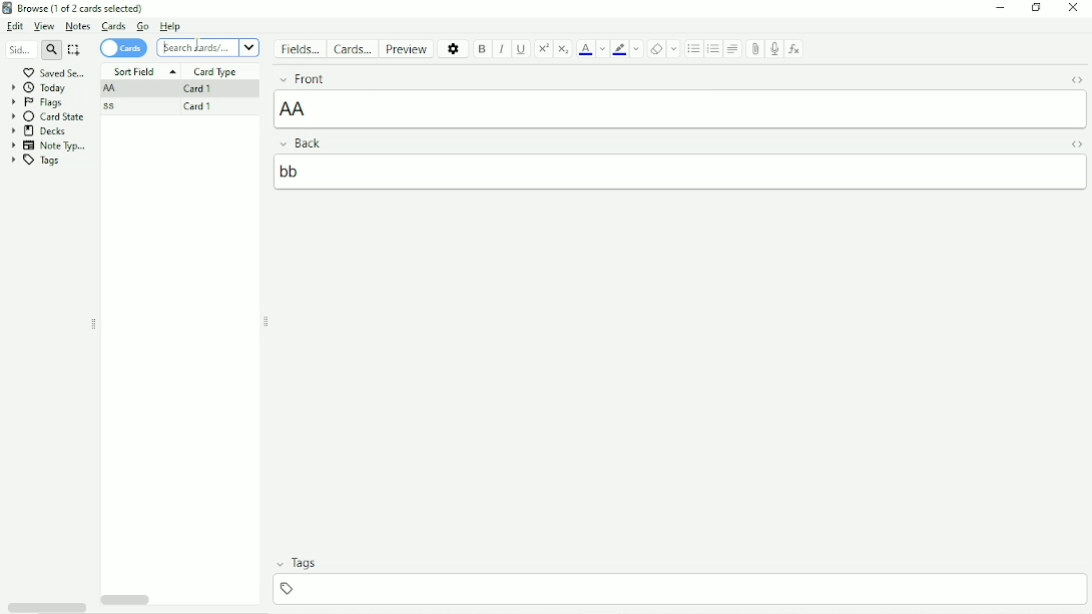 The width and height of the screenshot is (1092, 614). I want to click on Italic, so click(501, 49).